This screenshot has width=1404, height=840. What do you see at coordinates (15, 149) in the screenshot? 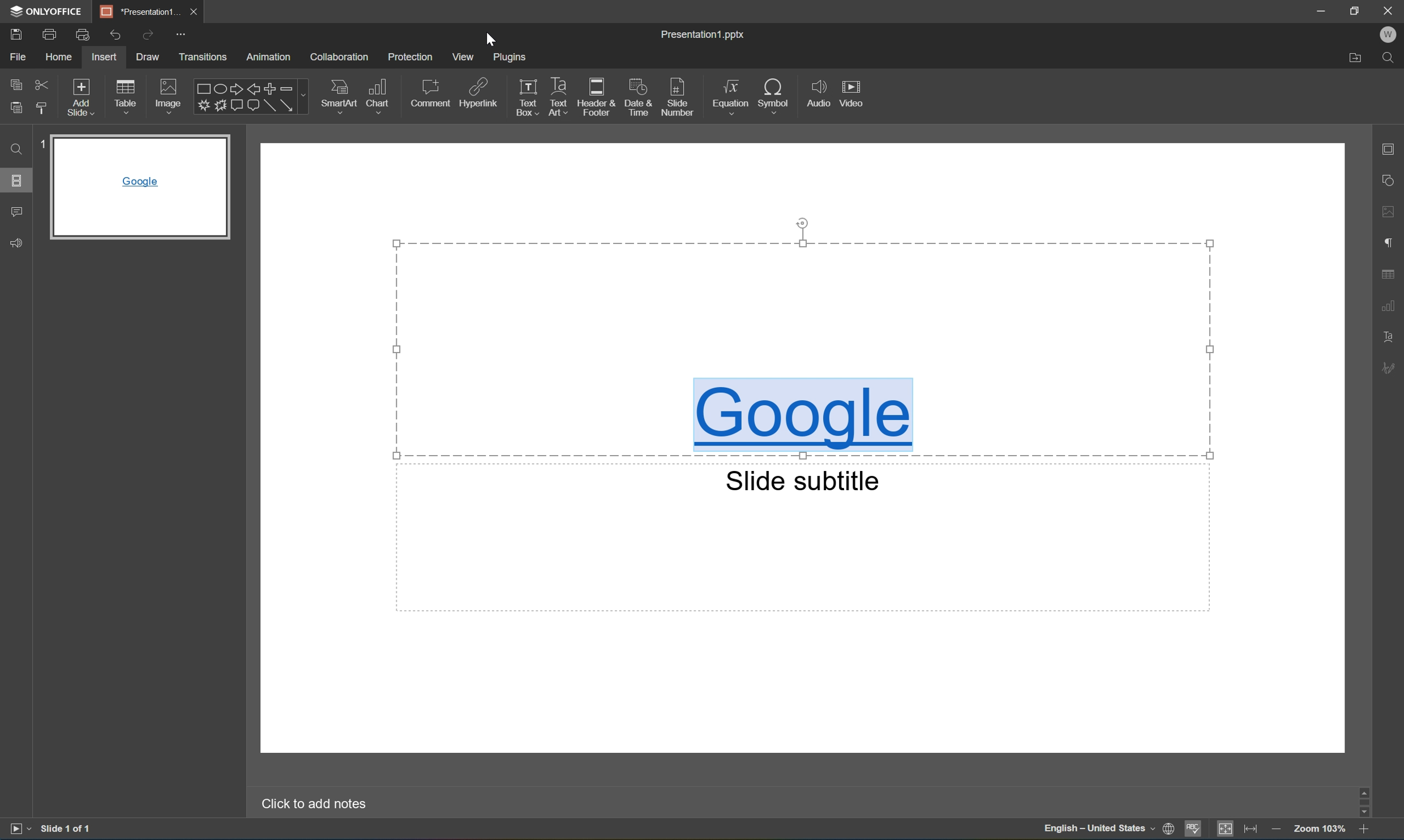
I see `Find` at bounding box center [15, 149].